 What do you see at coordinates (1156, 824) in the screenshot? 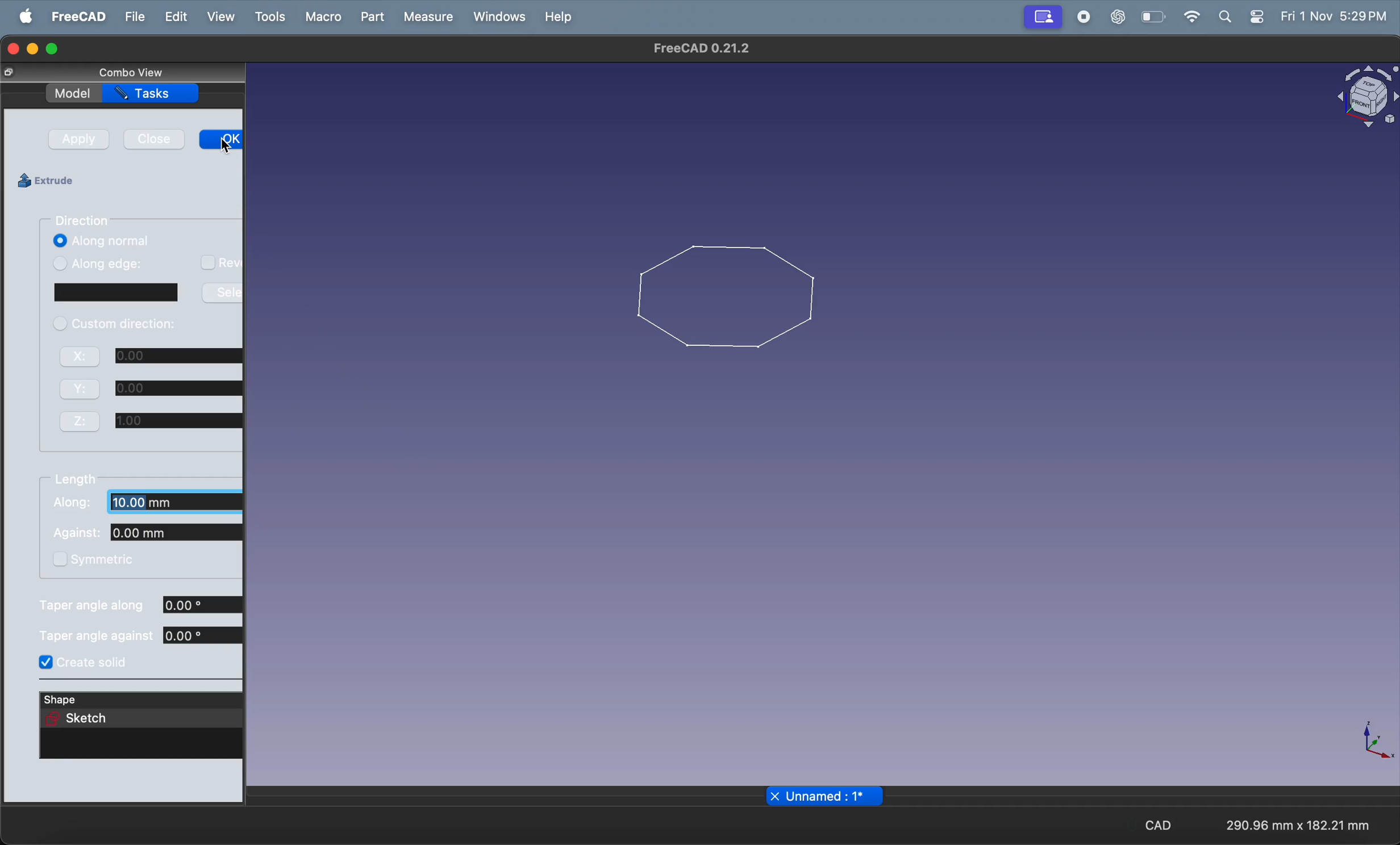
I see `cad` at bounding box center [1156, 824].